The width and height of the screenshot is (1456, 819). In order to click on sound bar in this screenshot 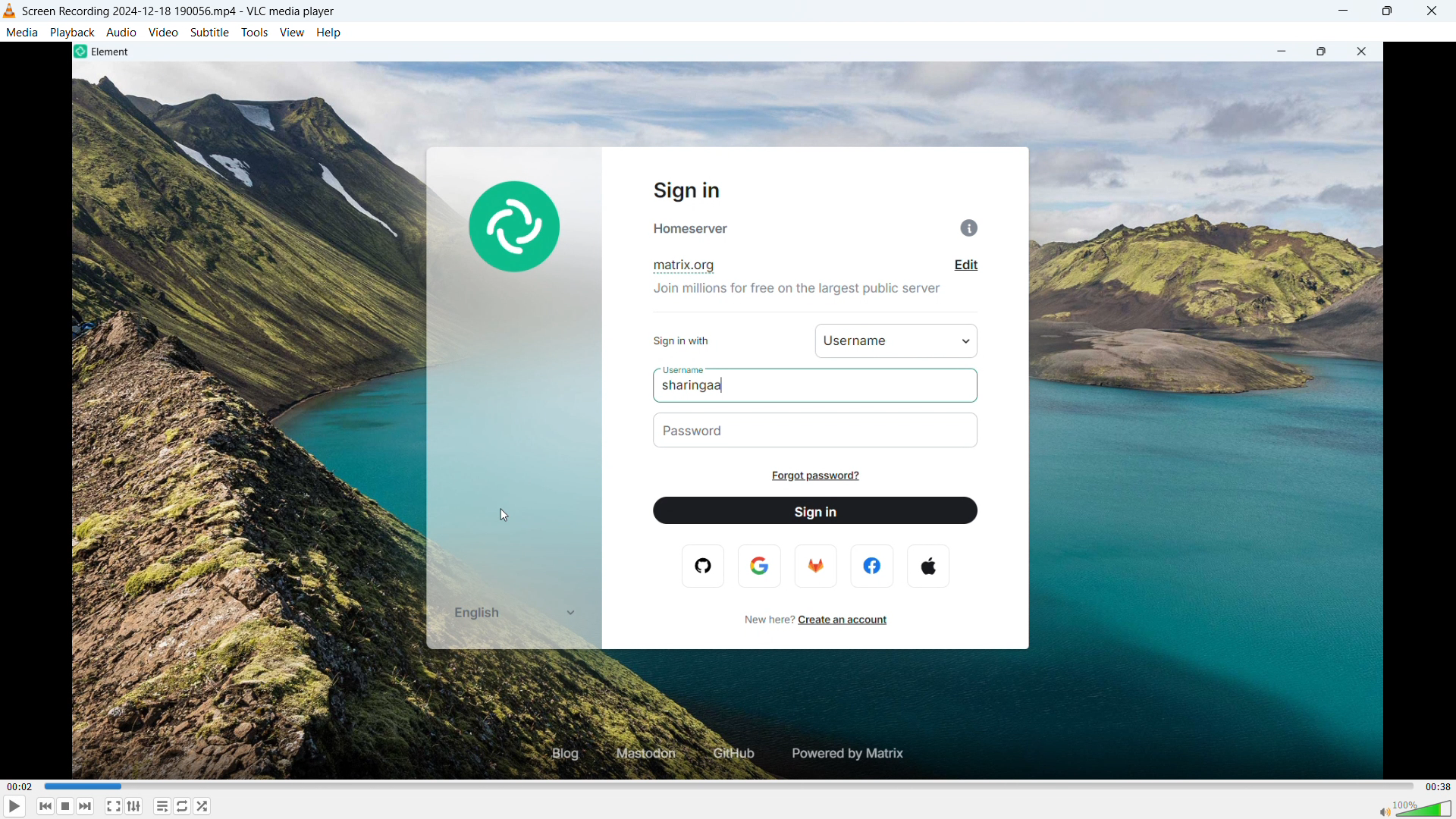, I will do `click(1414, 808)`.